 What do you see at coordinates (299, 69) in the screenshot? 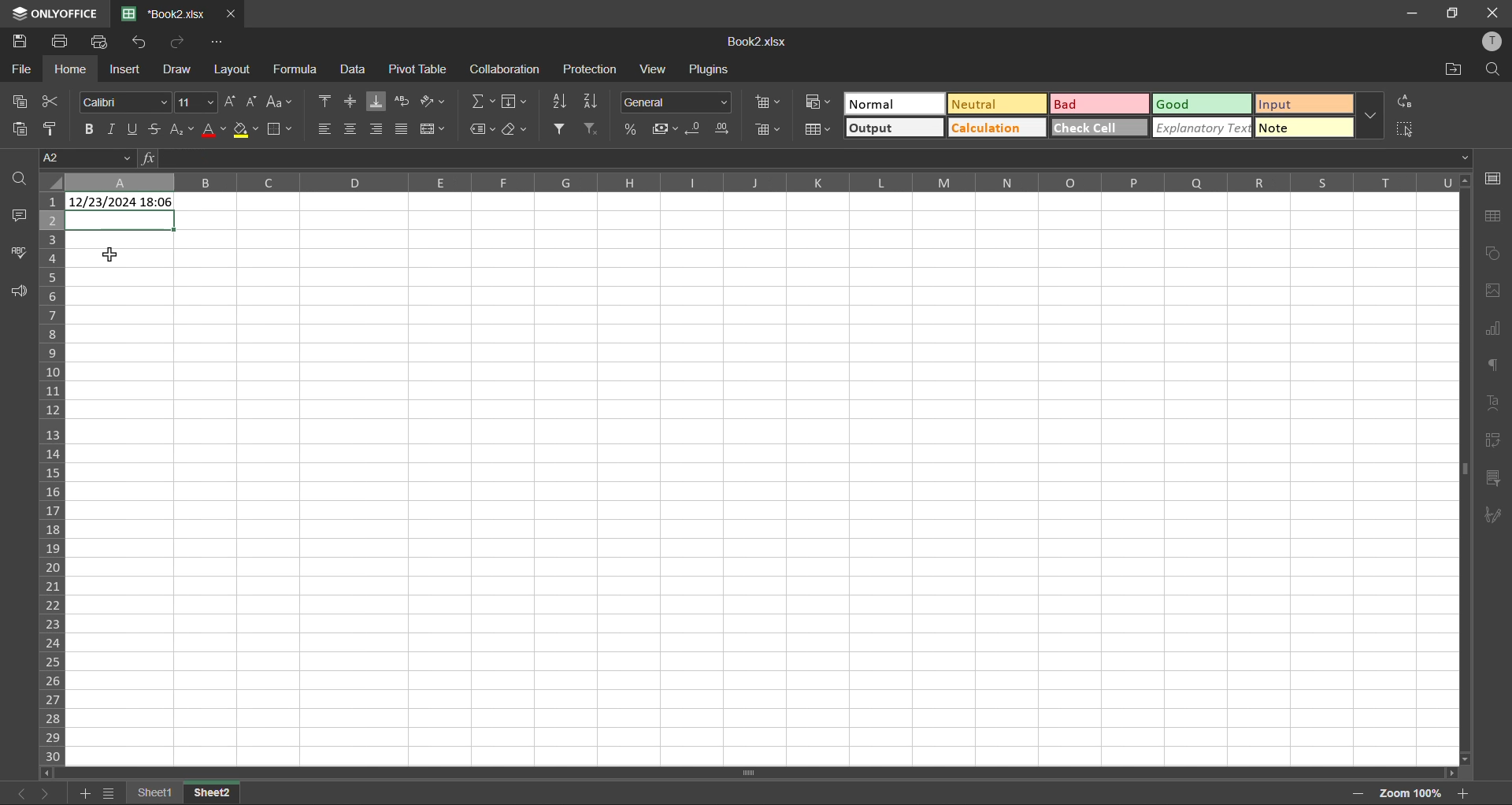
I see `formula` at bounding box center [299, 69].